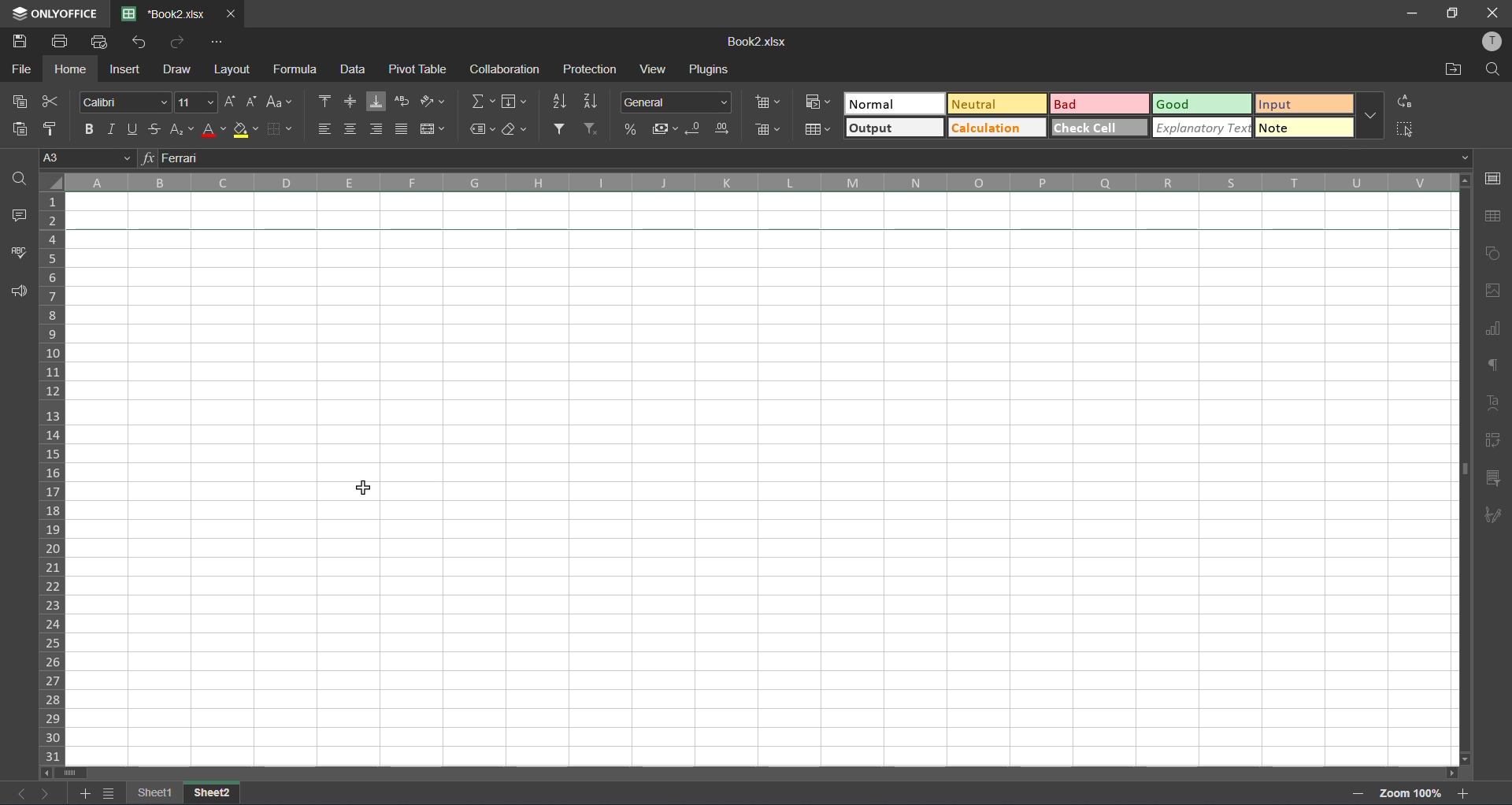  Describe the element at coordinates (278, 102) in the screenshot. I see `change case` at that location.